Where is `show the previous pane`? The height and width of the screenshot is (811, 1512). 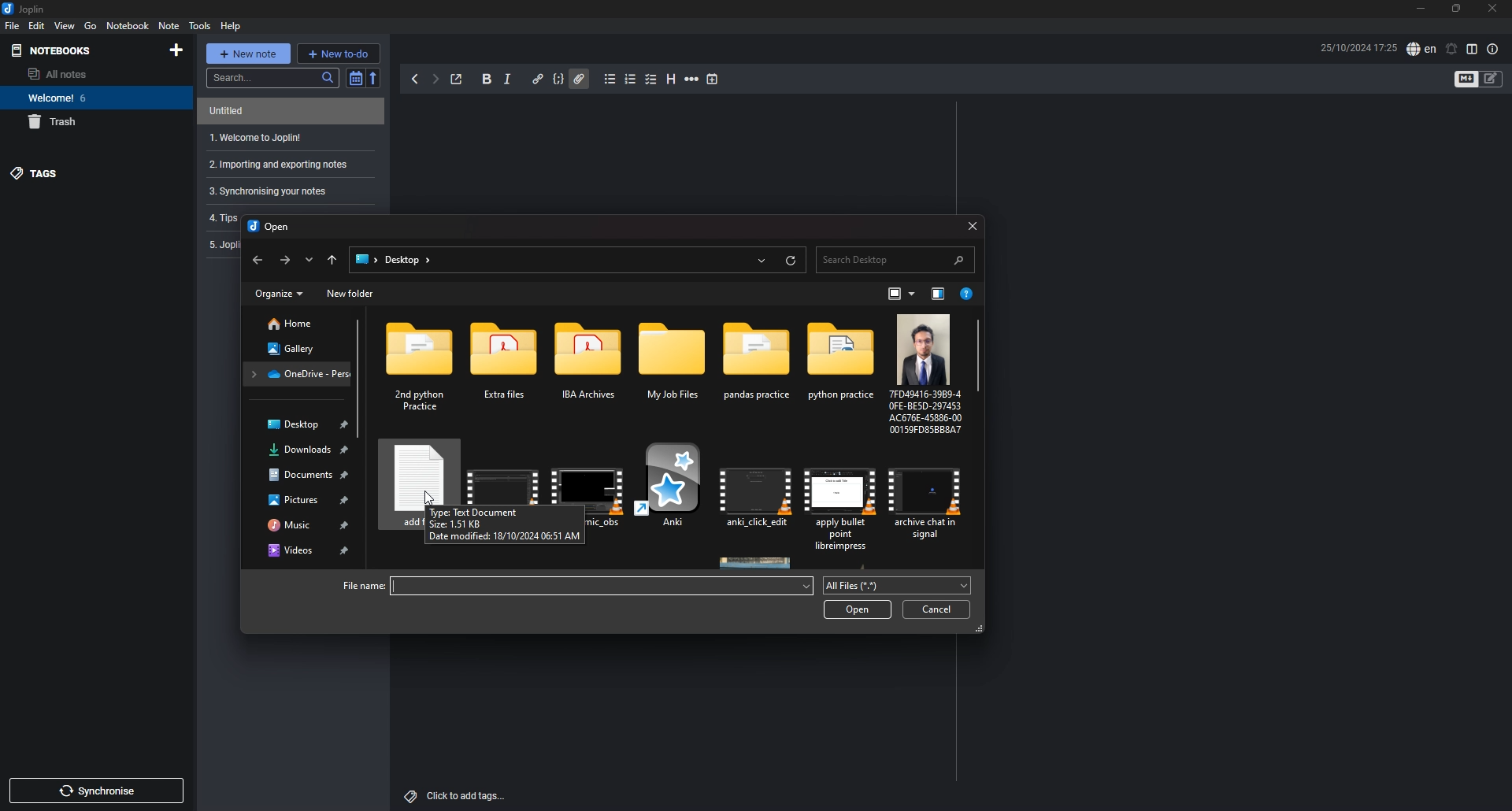
show the previous pane is located at coordinates (938, 294).